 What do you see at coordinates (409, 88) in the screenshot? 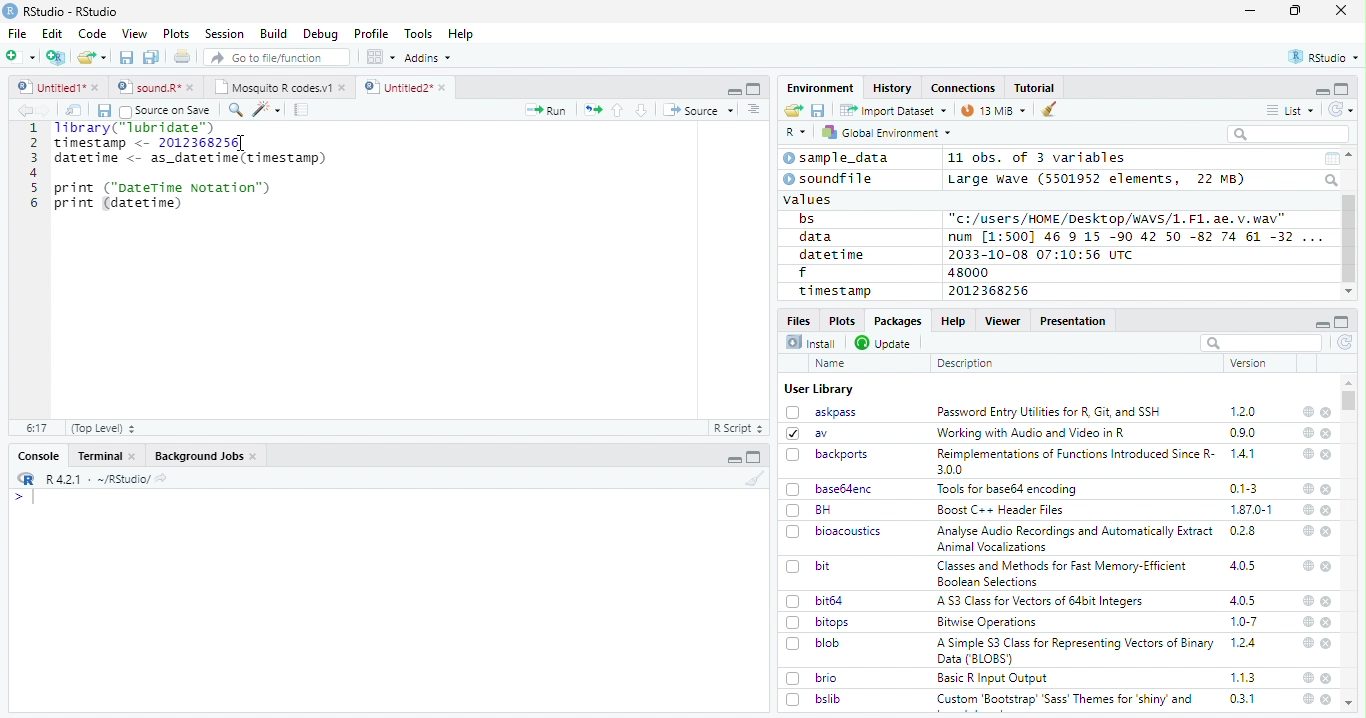
I see `Untitled2*` at bounding box center [409, 88].